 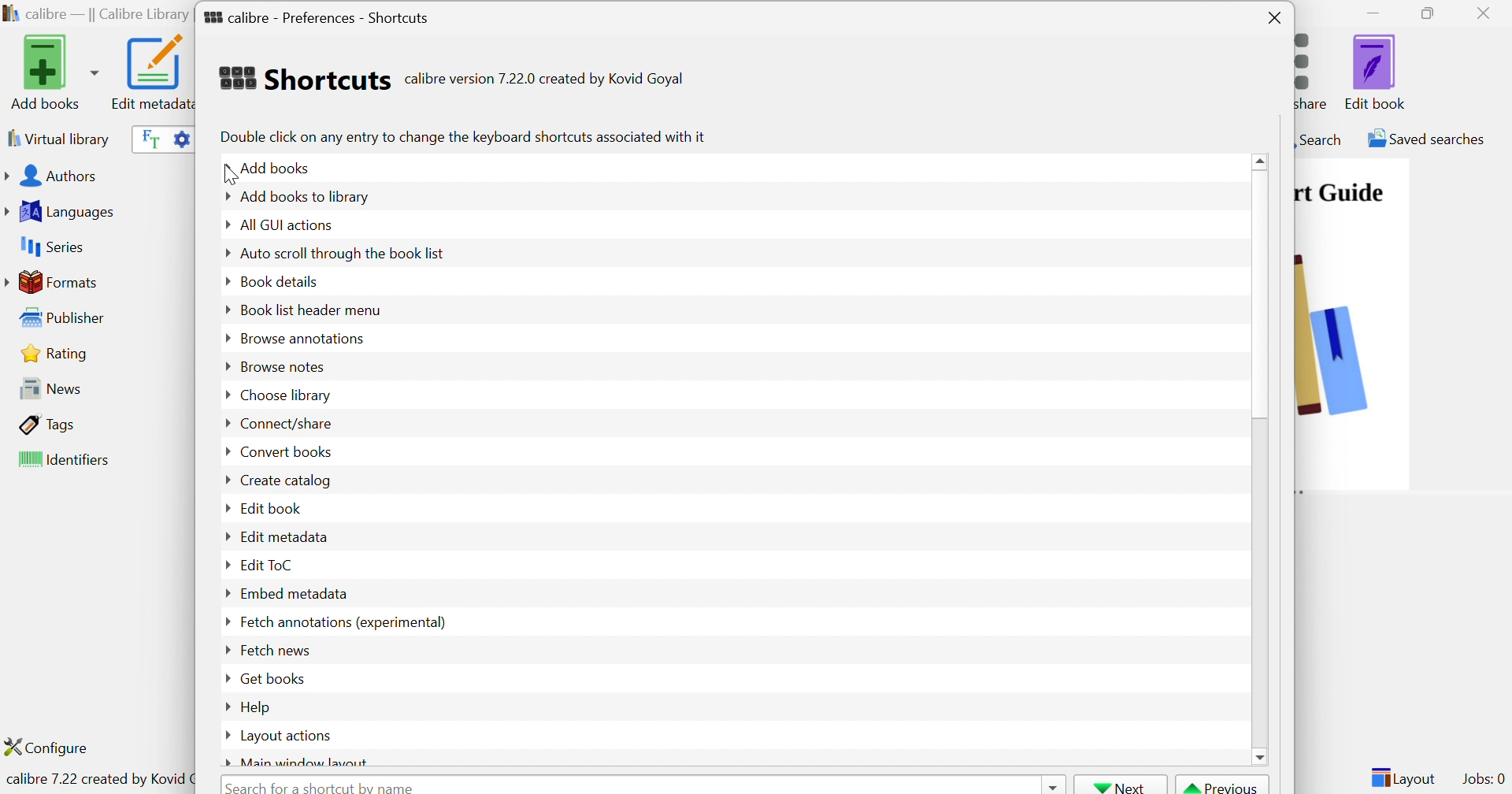 What do you see at coordinates (223, 254) in the screenshot?
I see `Drop Down` at bounding box center [223, 254].